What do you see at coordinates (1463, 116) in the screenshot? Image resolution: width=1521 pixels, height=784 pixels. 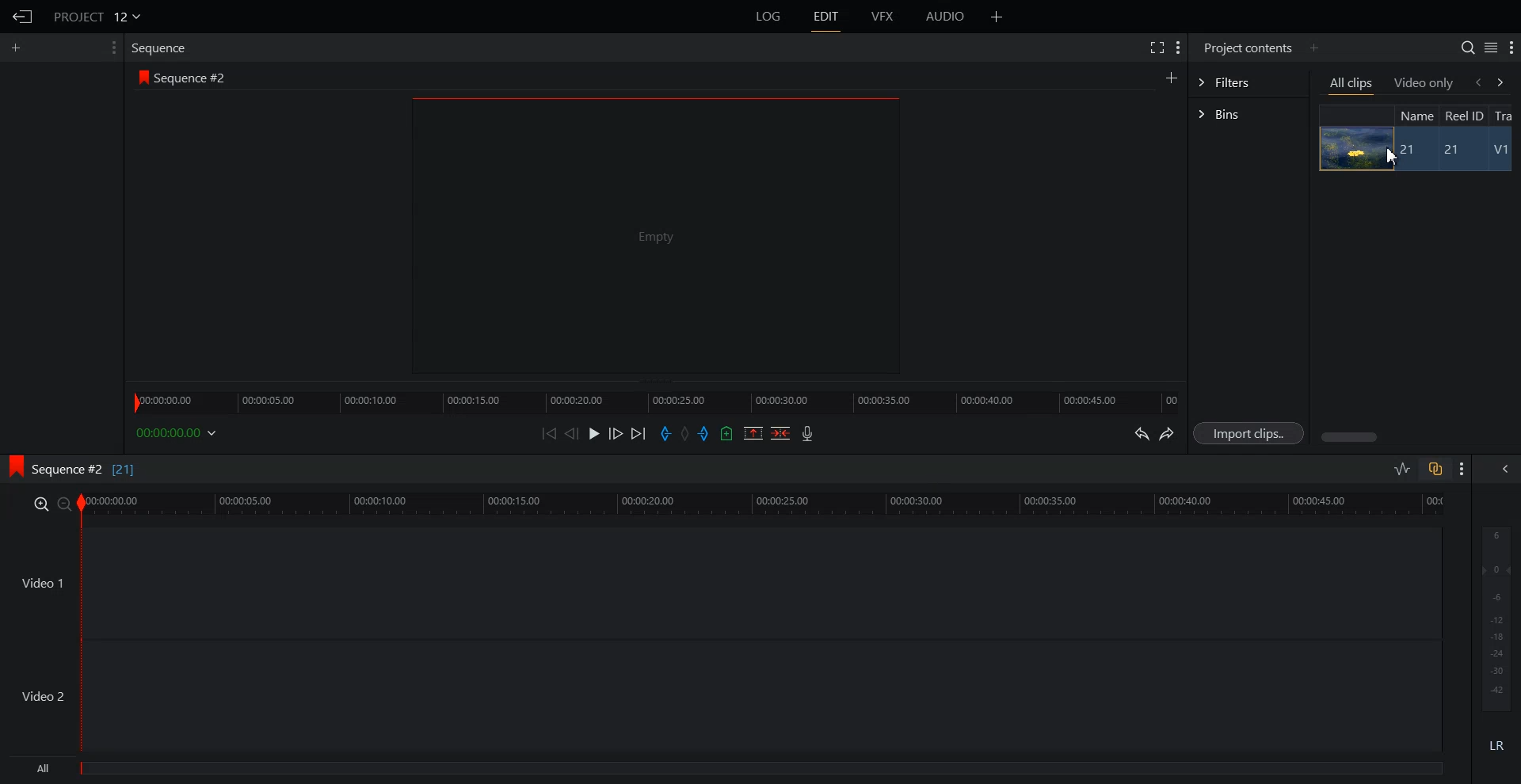 I see `Reel ID` at bounding box center [1463, 116].